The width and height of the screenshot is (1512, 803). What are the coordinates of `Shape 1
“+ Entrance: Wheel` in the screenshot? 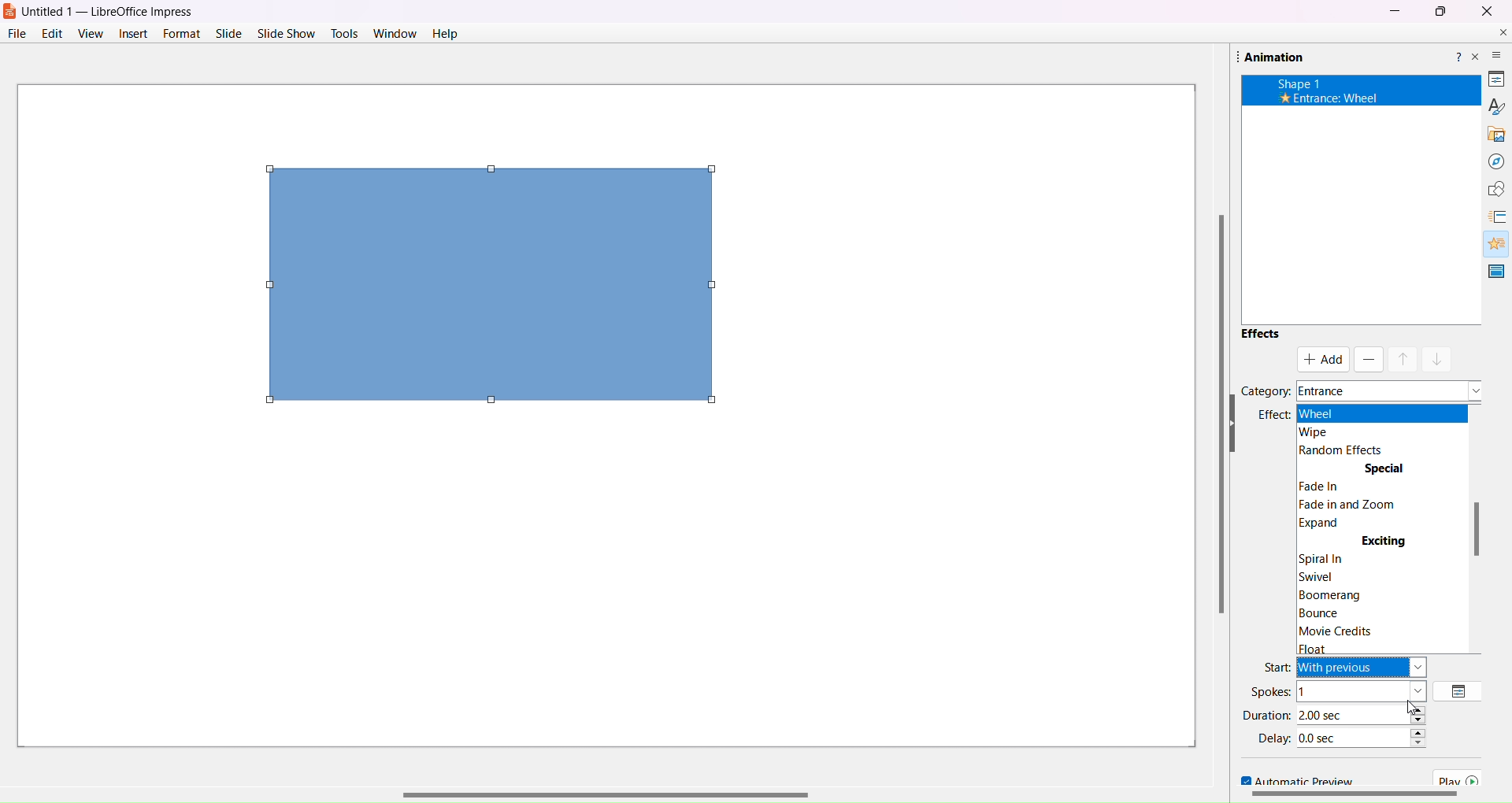 It's located at (1320, 92).